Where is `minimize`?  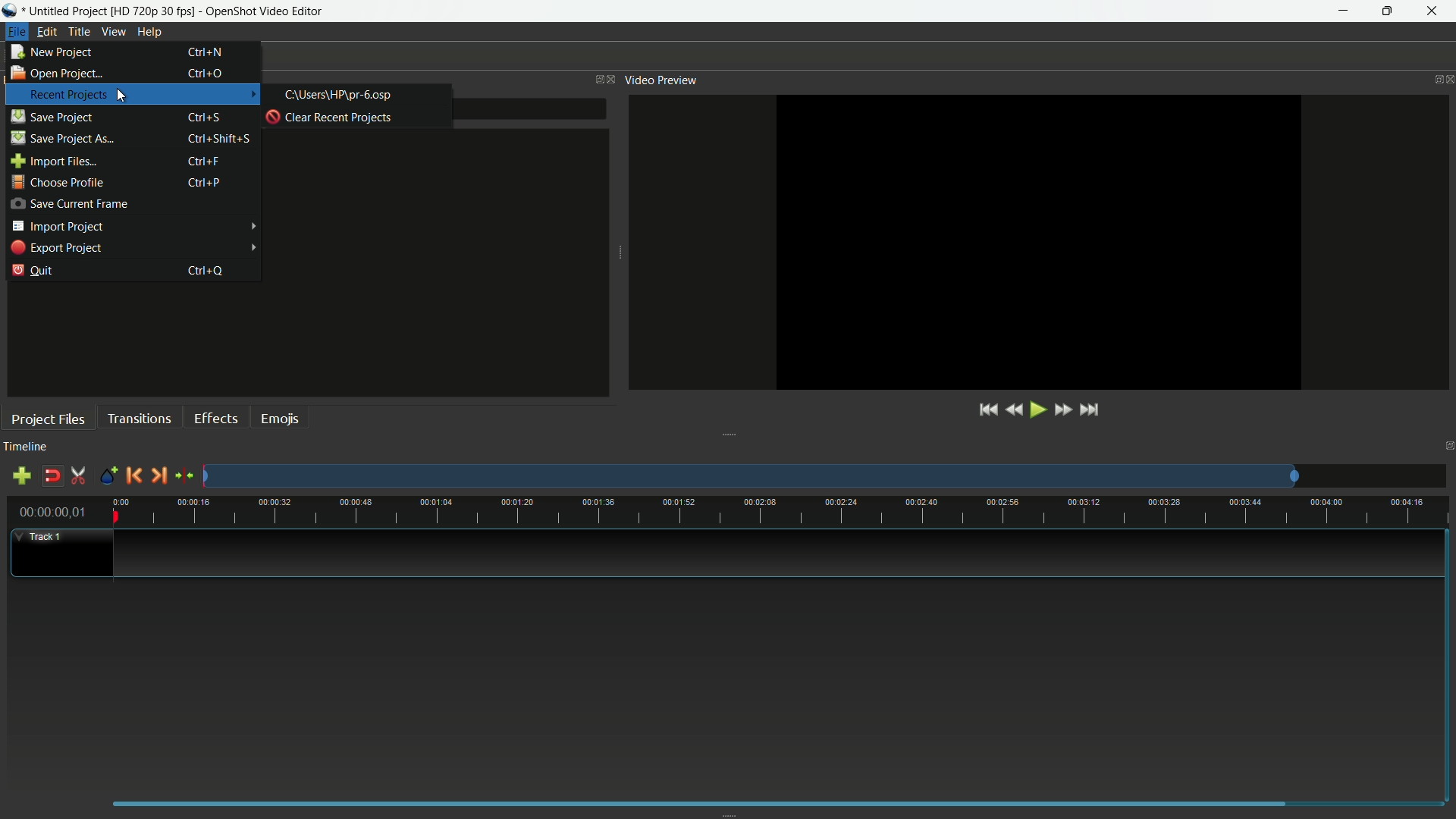
minimize is located at coordinates (1345, 11).